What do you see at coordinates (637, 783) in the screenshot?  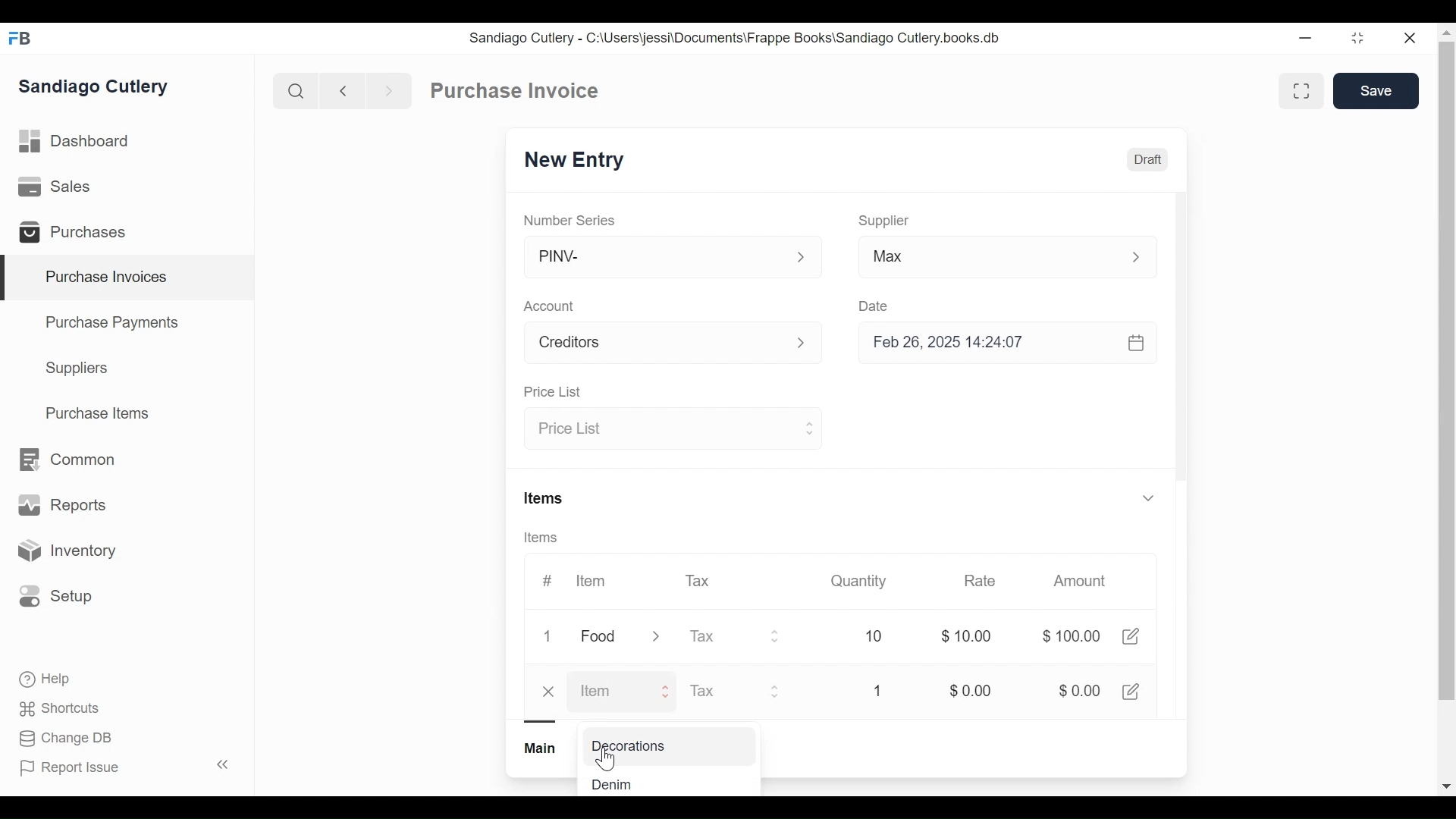 I see `Denim` at bounding box center [637, 783].